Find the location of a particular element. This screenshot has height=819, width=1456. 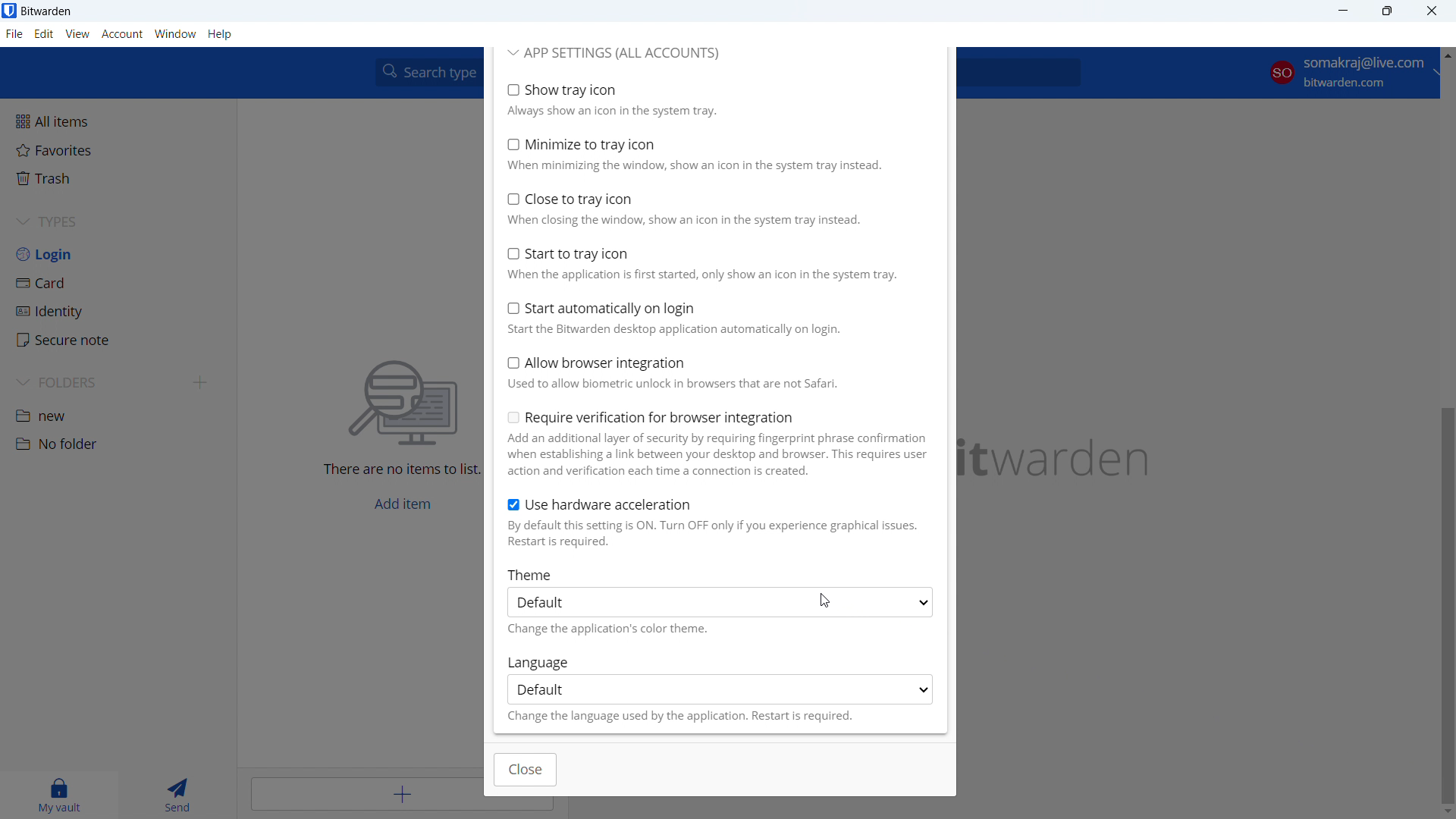

favorites is located at coordinates (116, 149).